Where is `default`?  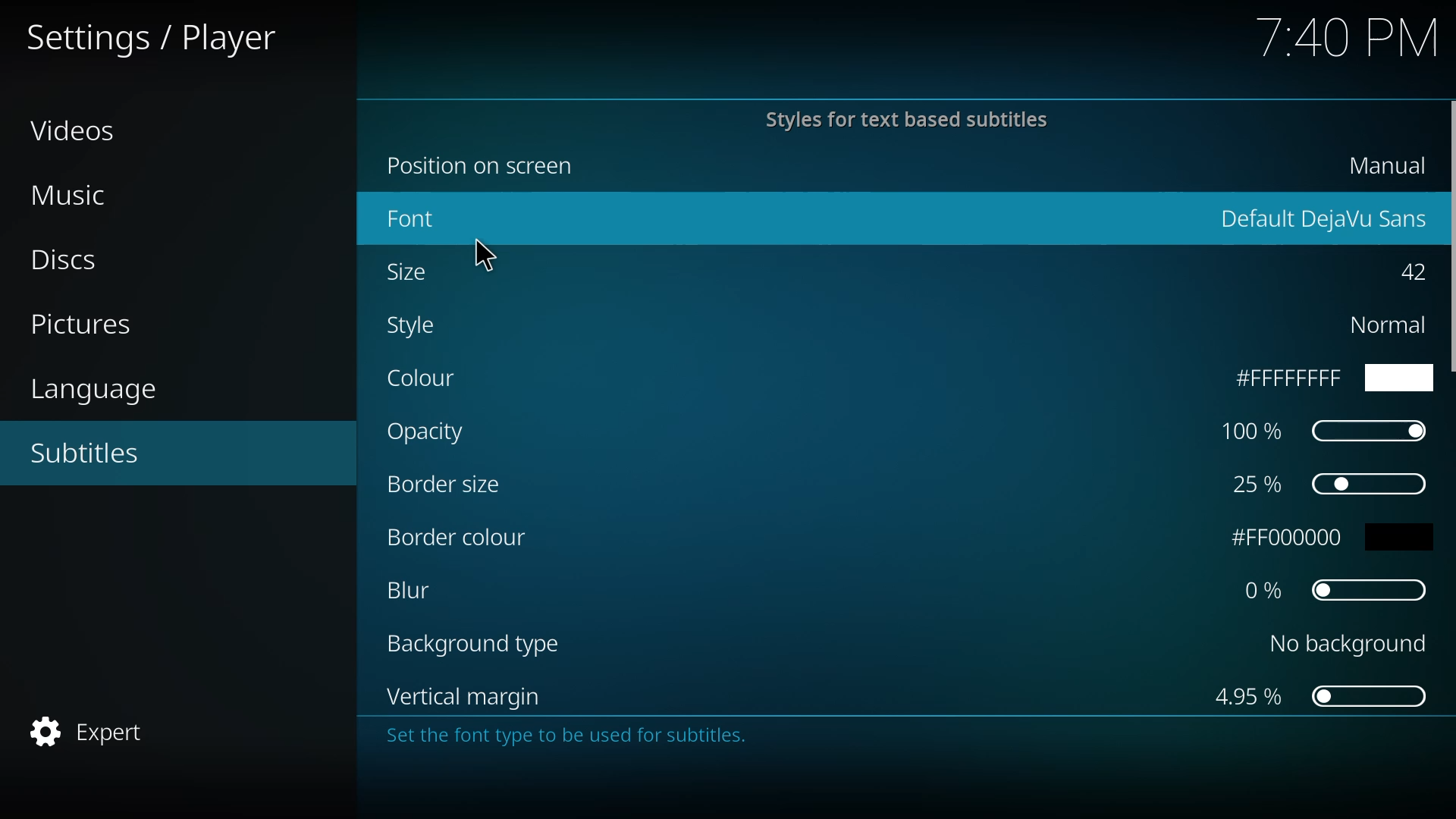
default is located at coordinates (1323, 215).